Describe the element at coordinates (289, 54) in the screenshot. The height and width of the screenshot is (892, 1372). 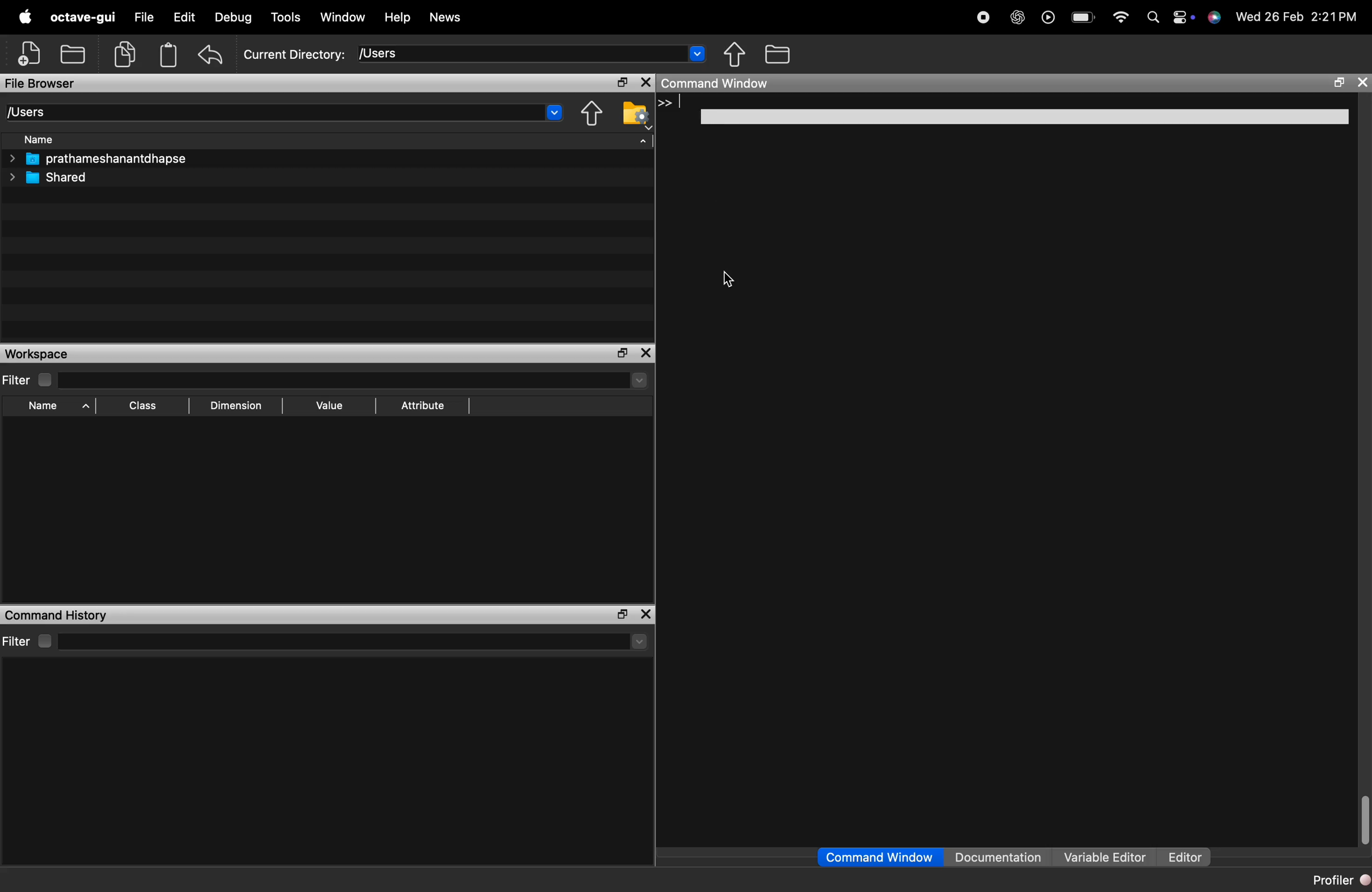
I see `Current Directory: [Users` at that location.